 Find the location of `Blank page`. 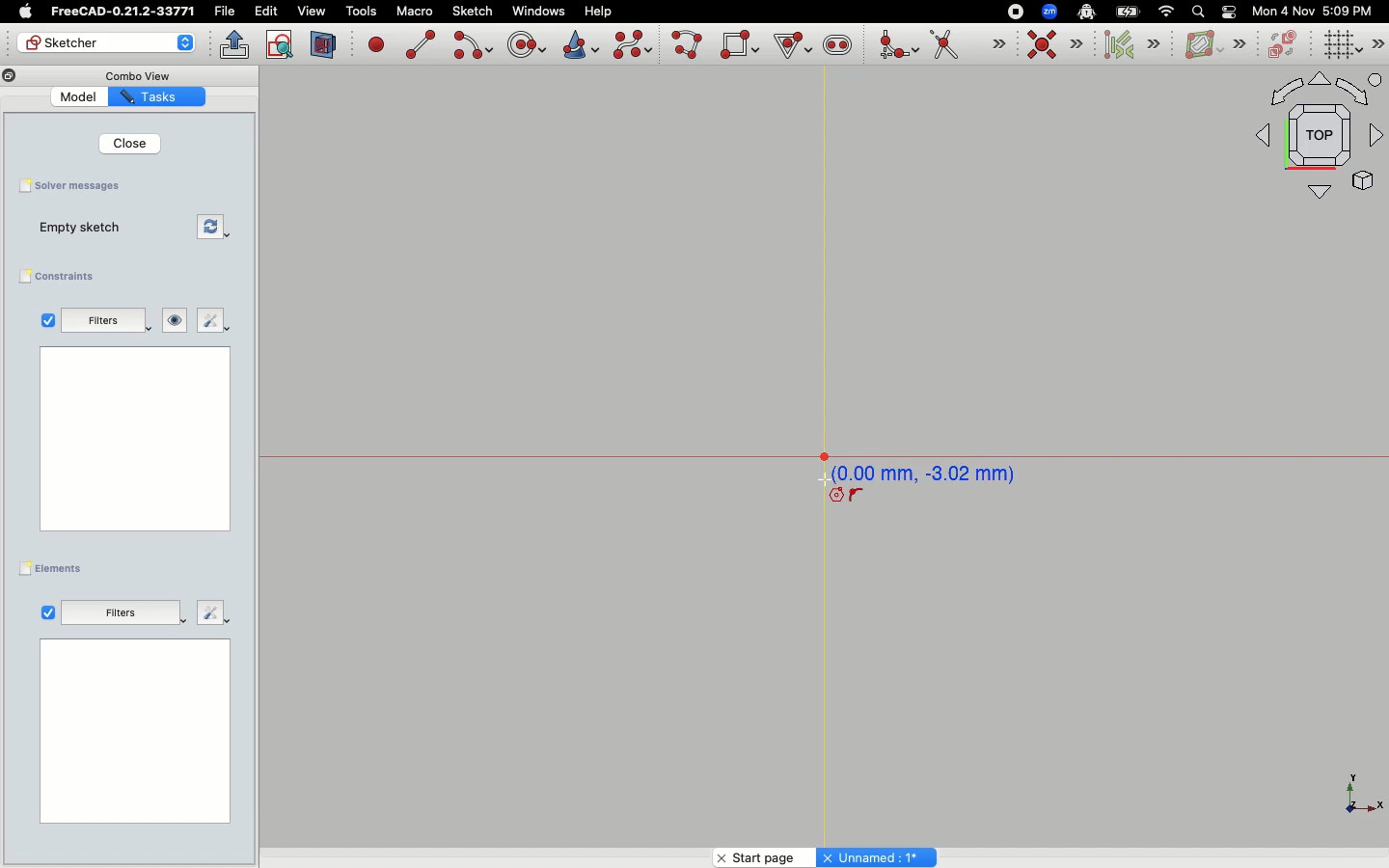

Blank page is located at coordinates (135, 732).